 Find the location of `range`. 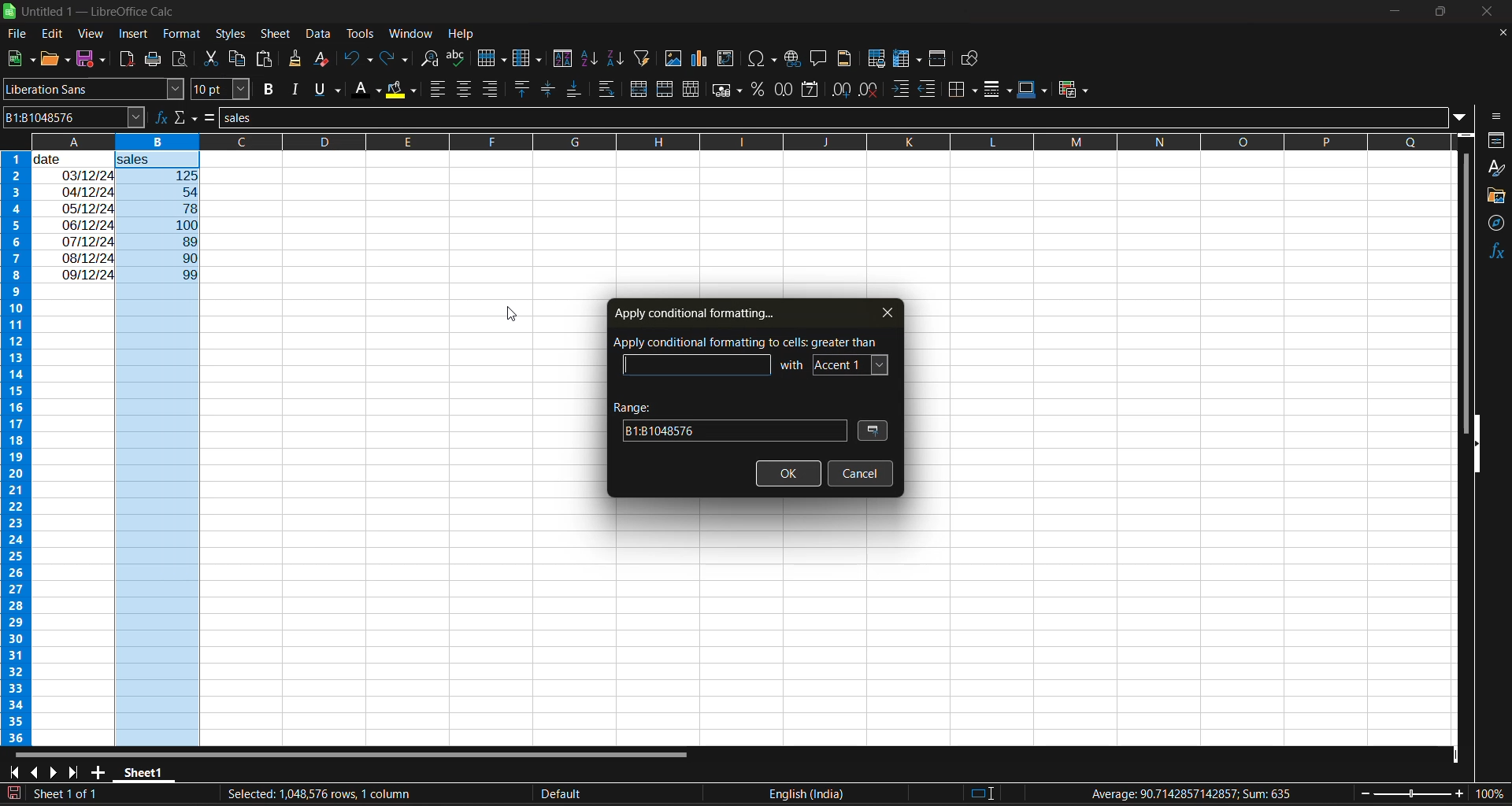

range is located at coordinates (728, 420).